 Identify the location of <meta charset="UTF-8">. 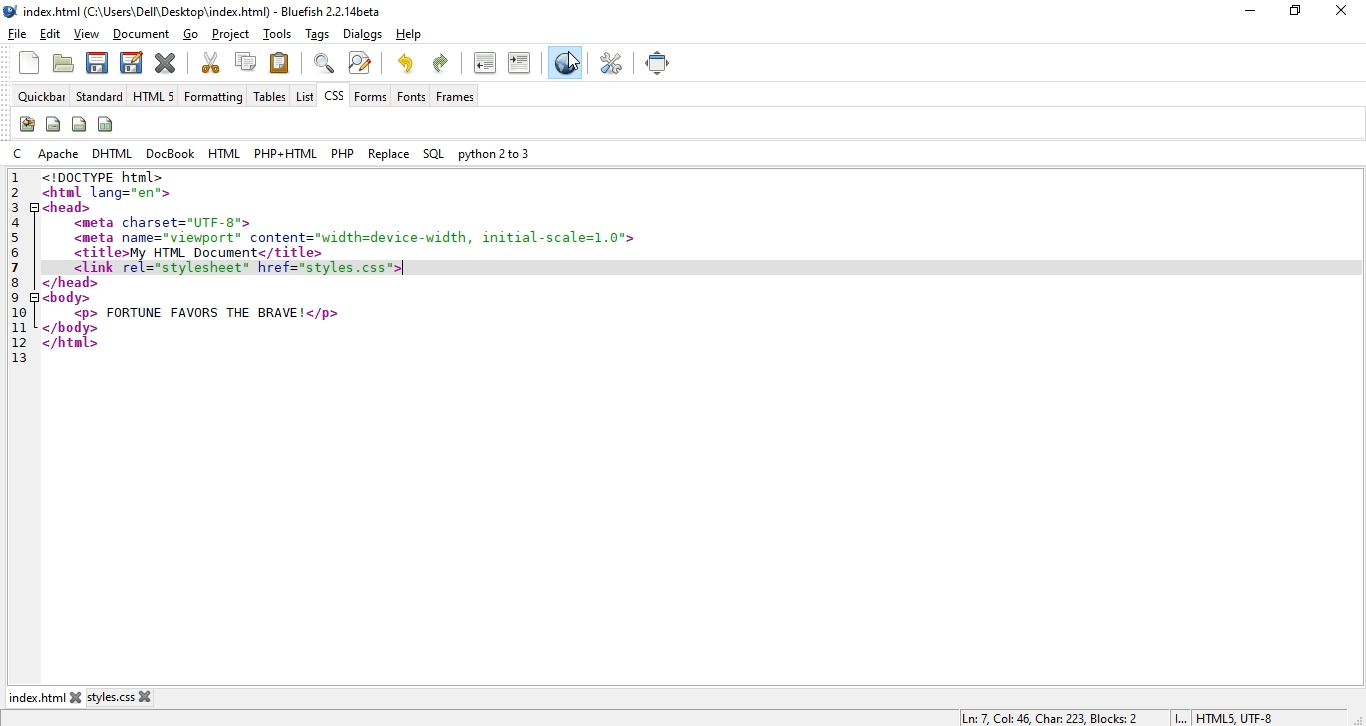
(167, 223).